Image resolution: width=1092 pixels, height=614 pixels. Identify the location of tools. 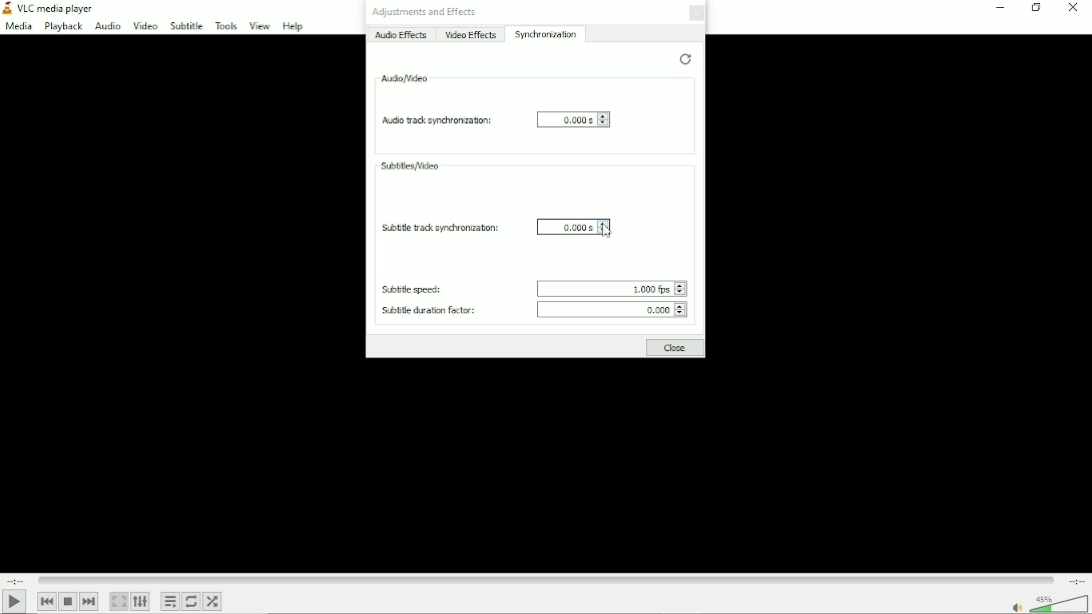
(224, 26).